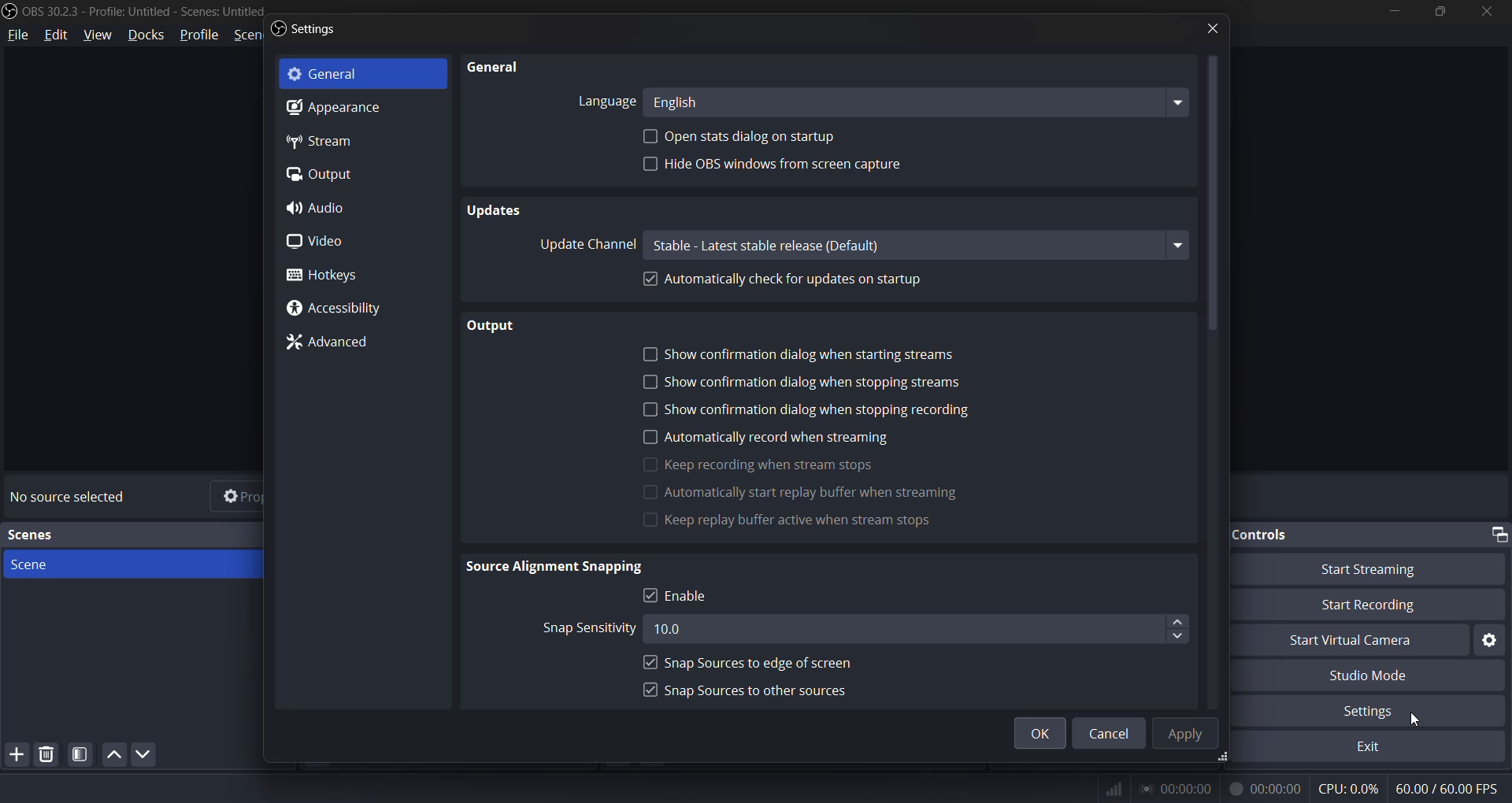 This screenshot has width=1512, height=803. I want to click on output, so click(499, 328).